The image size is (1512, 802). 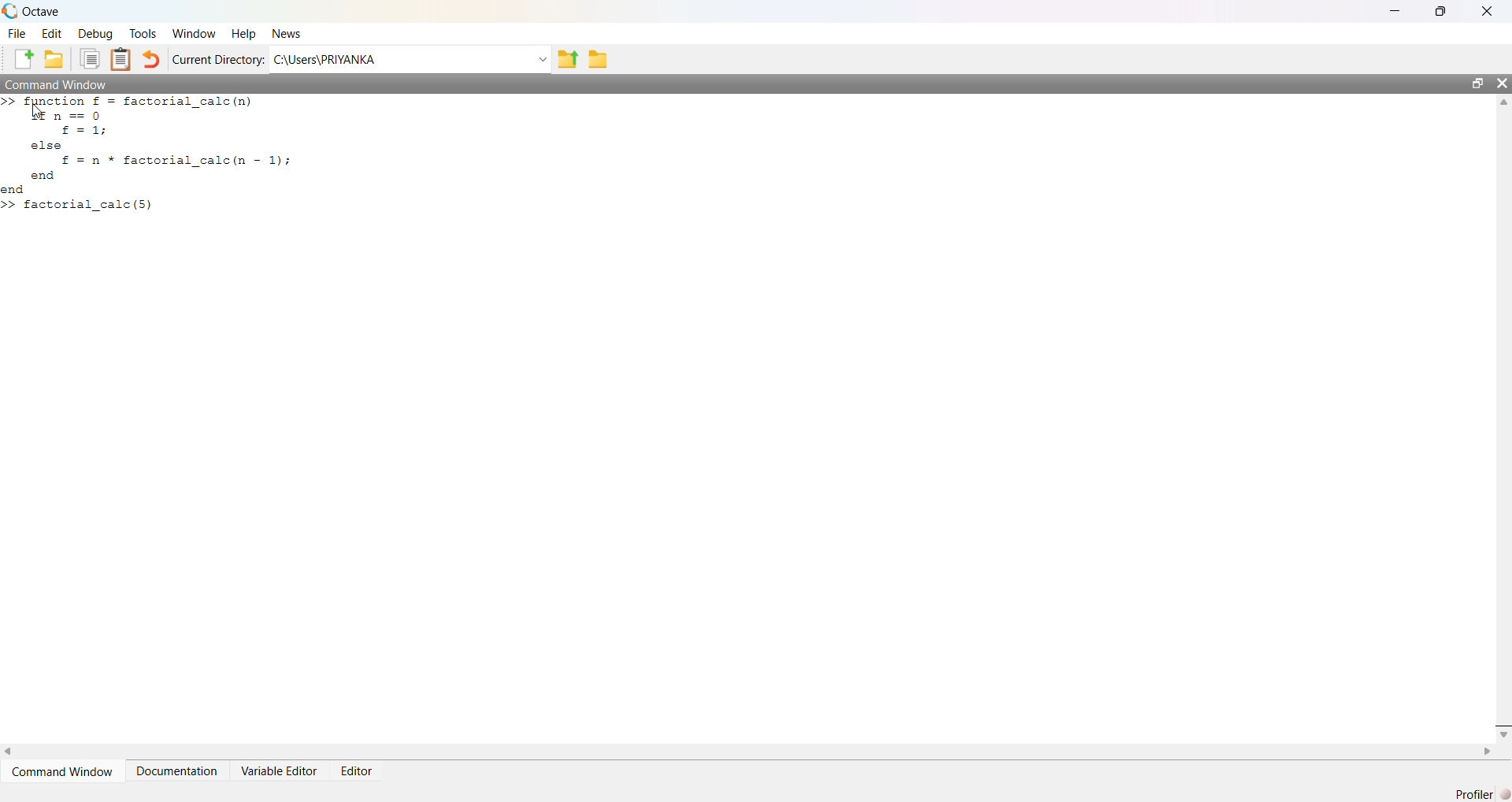 What do you see at coordinates (44, 12) in the screenshot?
I see `octave` at bounding box center [44, 12].